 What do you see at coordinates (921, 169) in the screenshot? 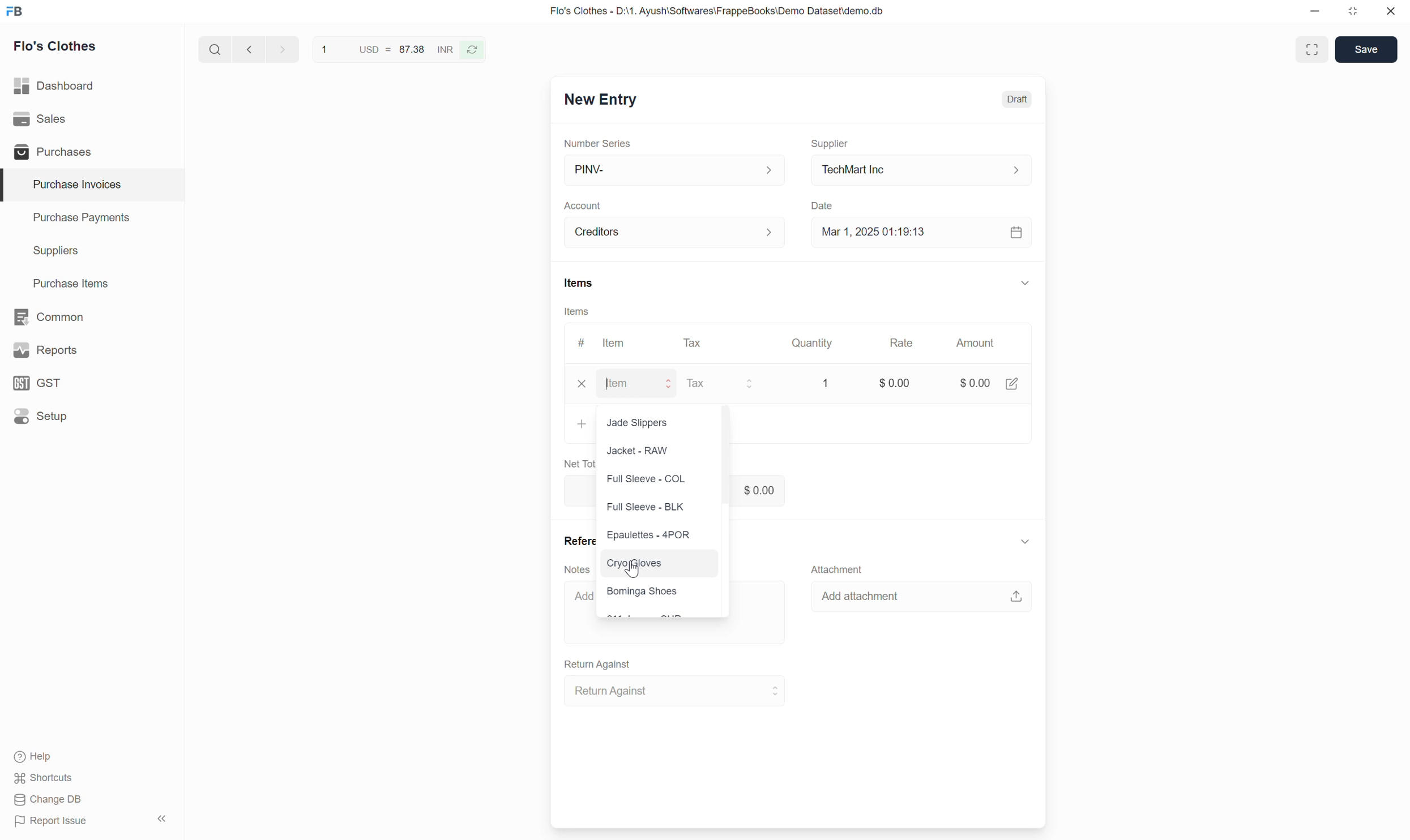
I see `TechMart Inc.` at bounding box center [921, 169].